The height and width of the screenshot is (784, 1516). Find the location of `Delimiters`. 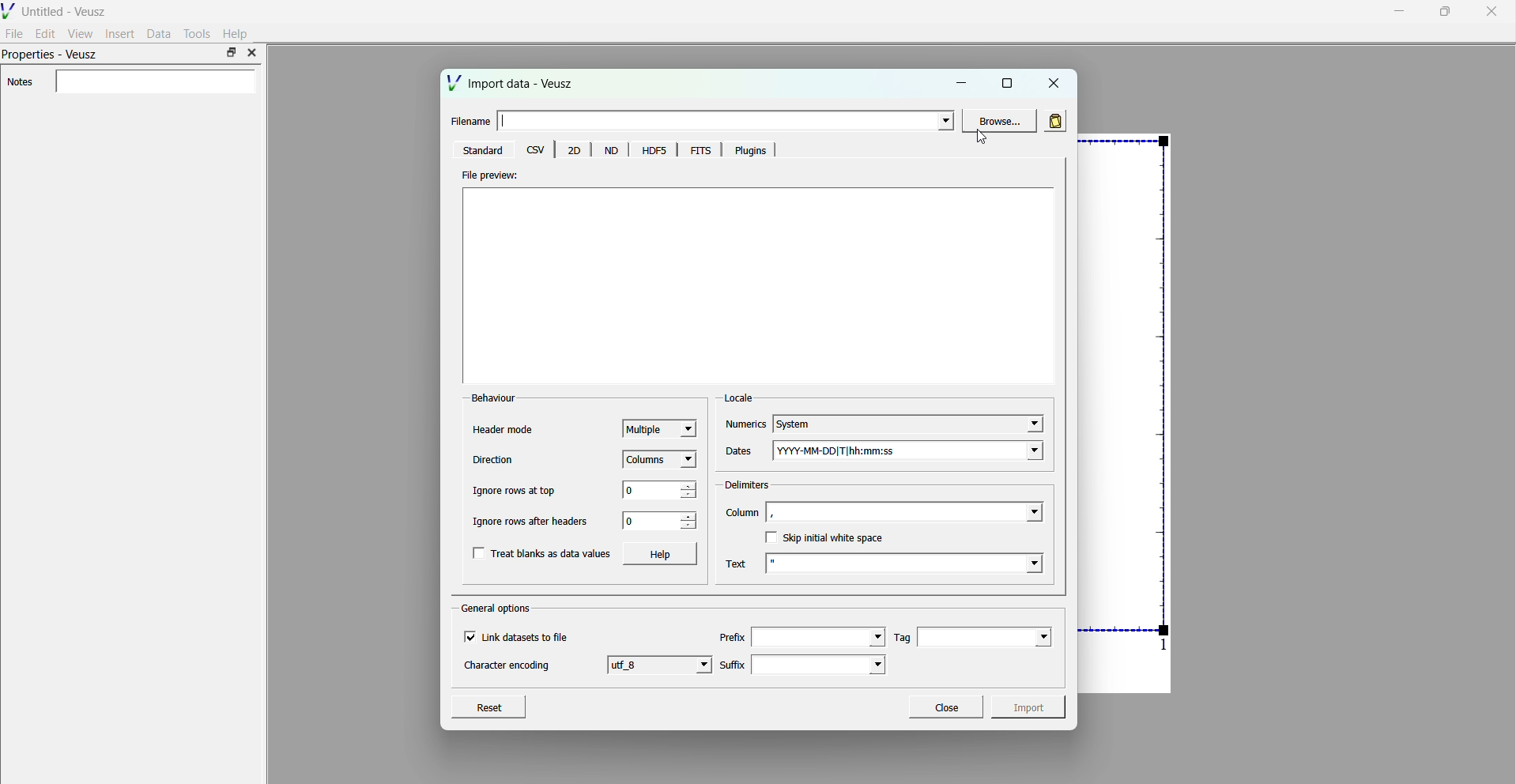

Delimiters is located at coordinates (747, 484).